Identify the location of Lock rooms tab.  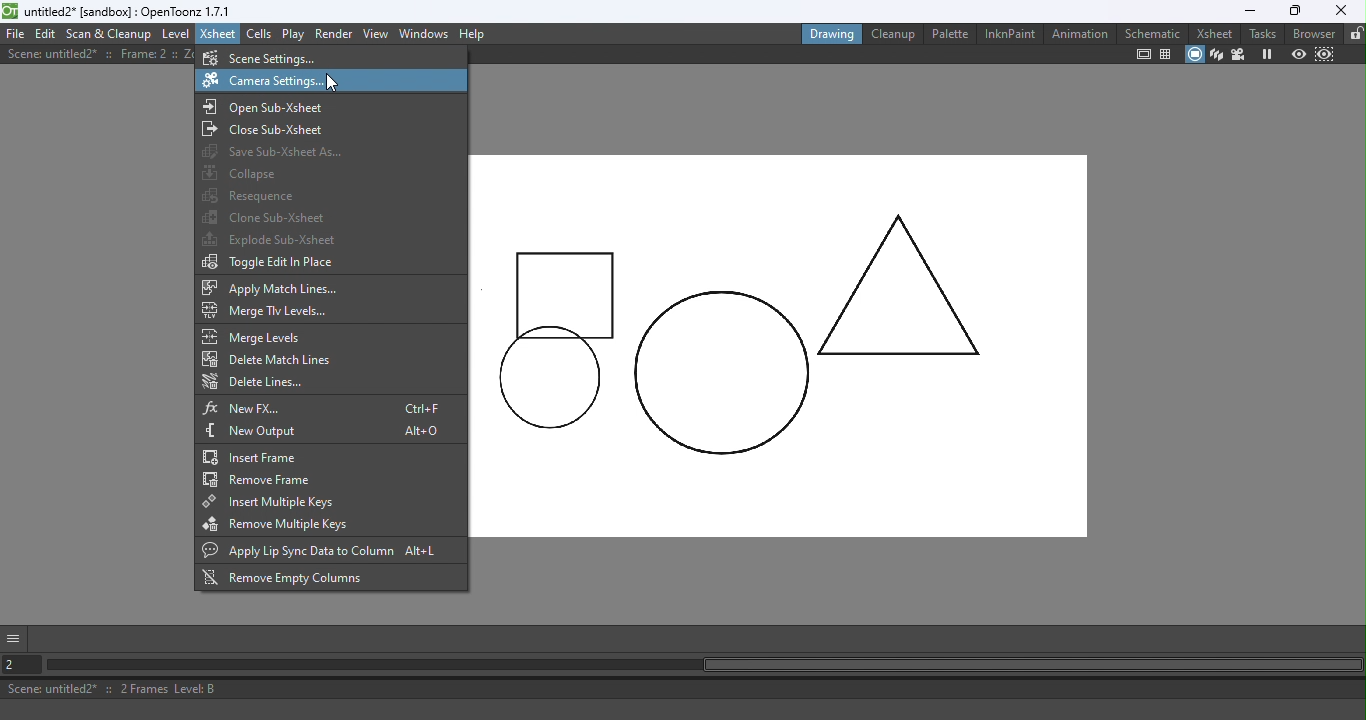
(1354, 34).